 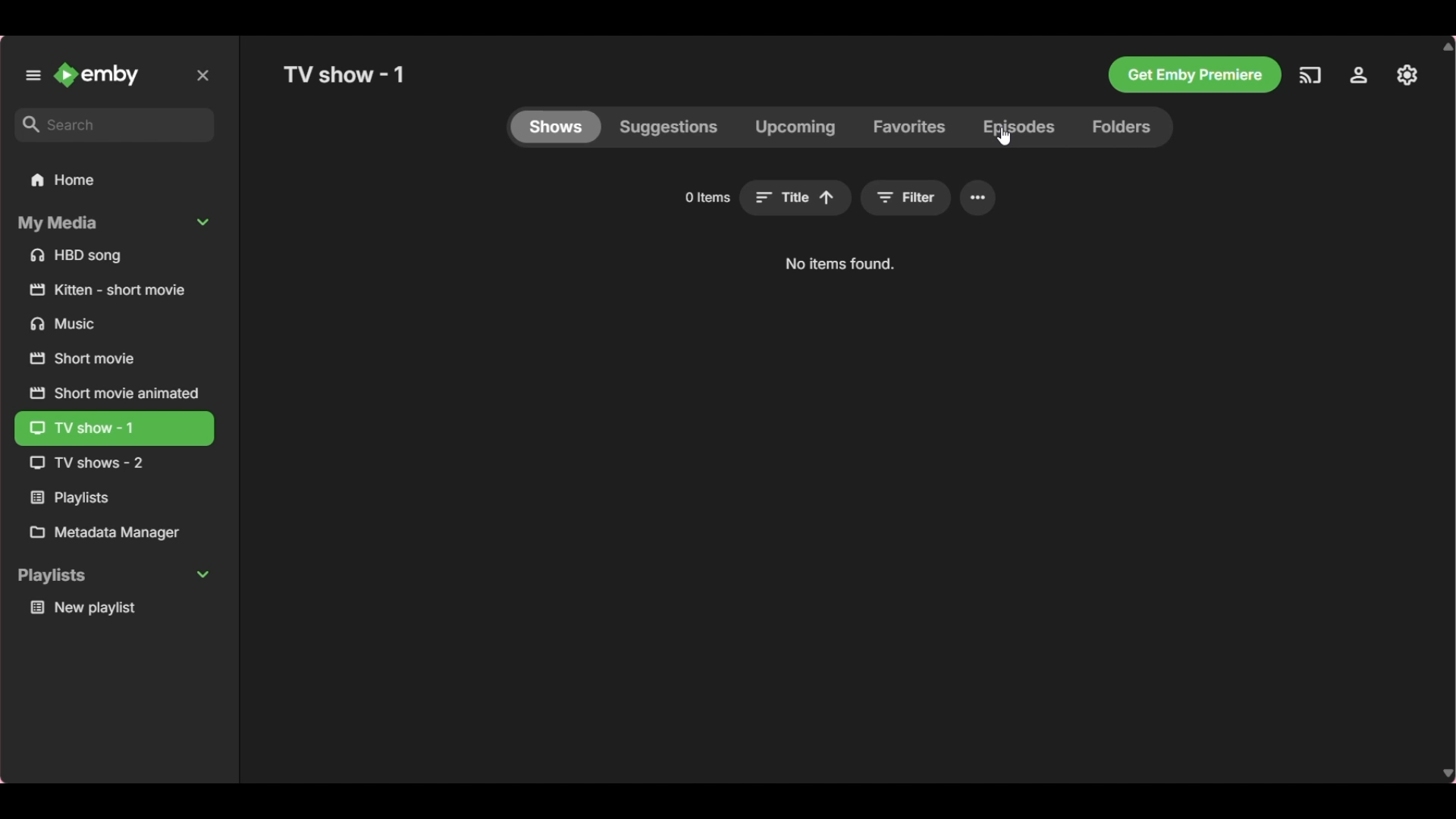 I want to click on Home folder, current selection highlighted, so click(x=114, y=180).